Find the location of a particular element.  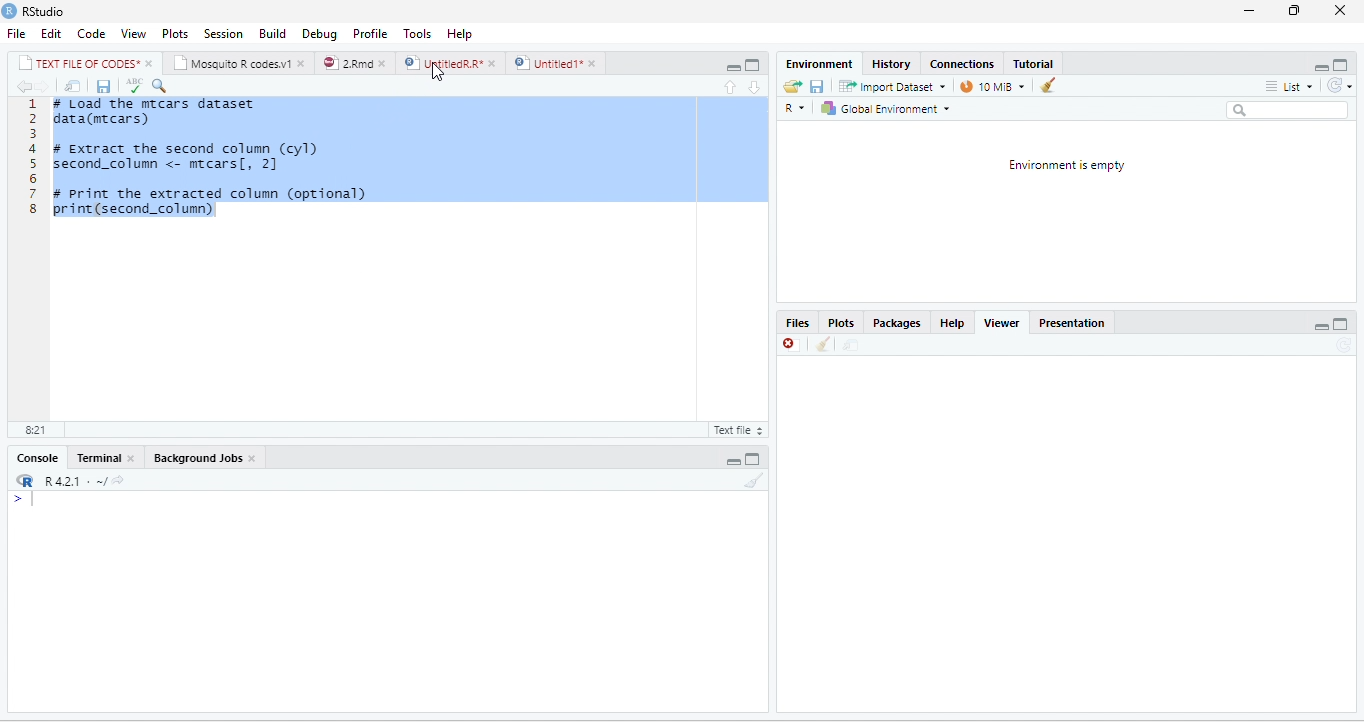

1 # Load the mrcars dataset

2 data(mecars)

3

4 # Extract the second column (cyl)

5 second_column <- mrcars[, 2]

6

7 # print the extracted column (optional)
8 print(second_column) is located at coordinates (399, 257).